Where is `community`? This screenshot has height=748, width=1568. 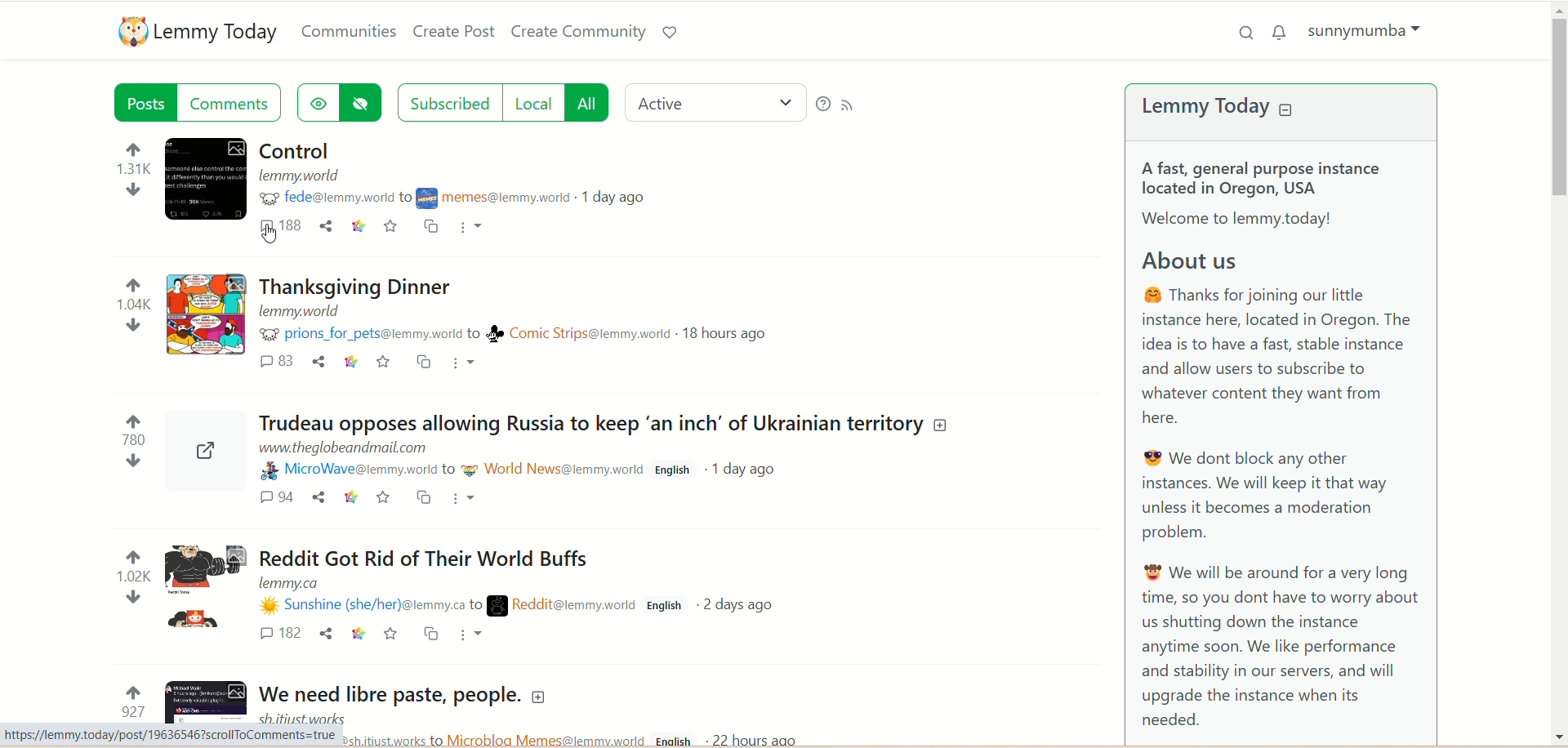 community is located at coordinates (558, 603).